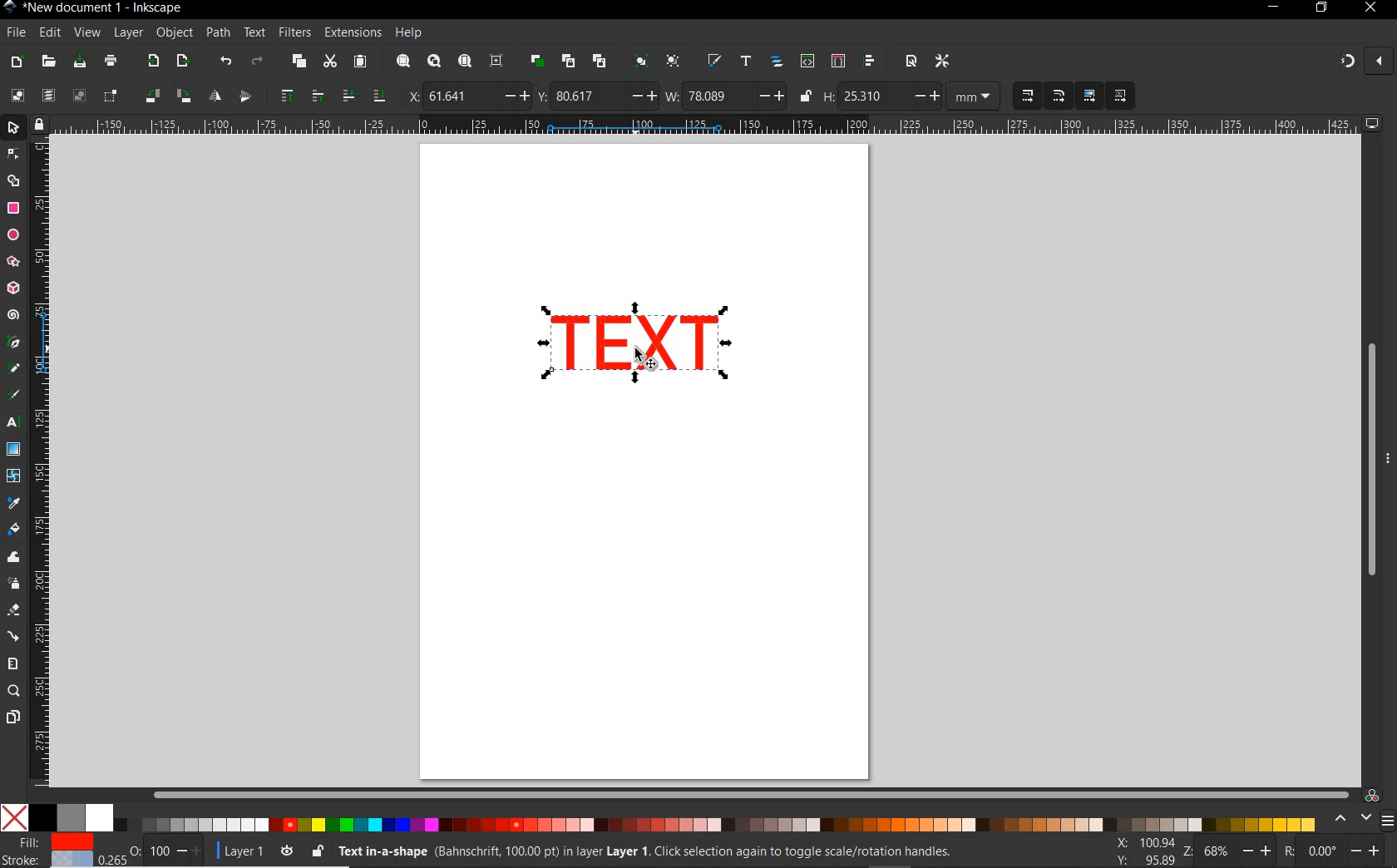 The height and width of the screenshot is (868, 1397). I want to click on current layer, so click(236, 849).